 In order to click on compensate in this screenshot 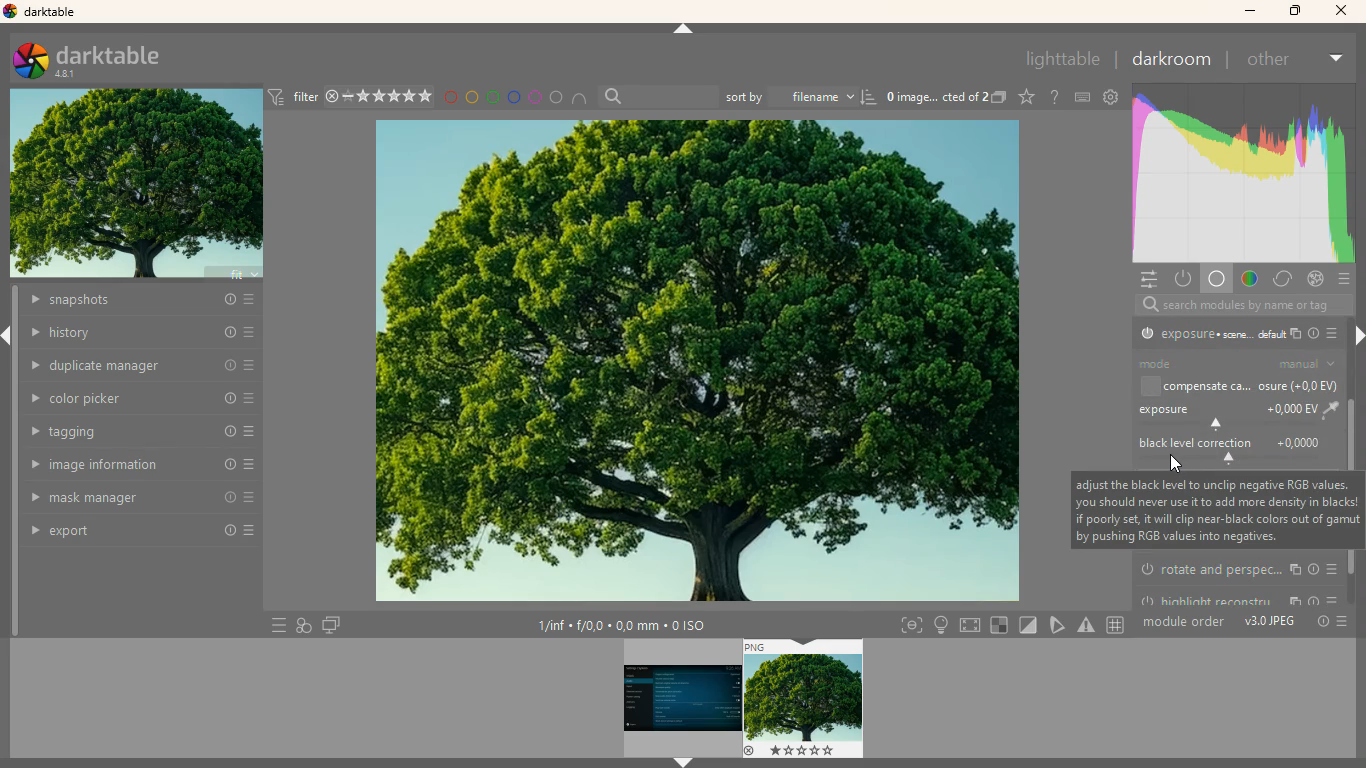, I will do `click(1239, 387)`.